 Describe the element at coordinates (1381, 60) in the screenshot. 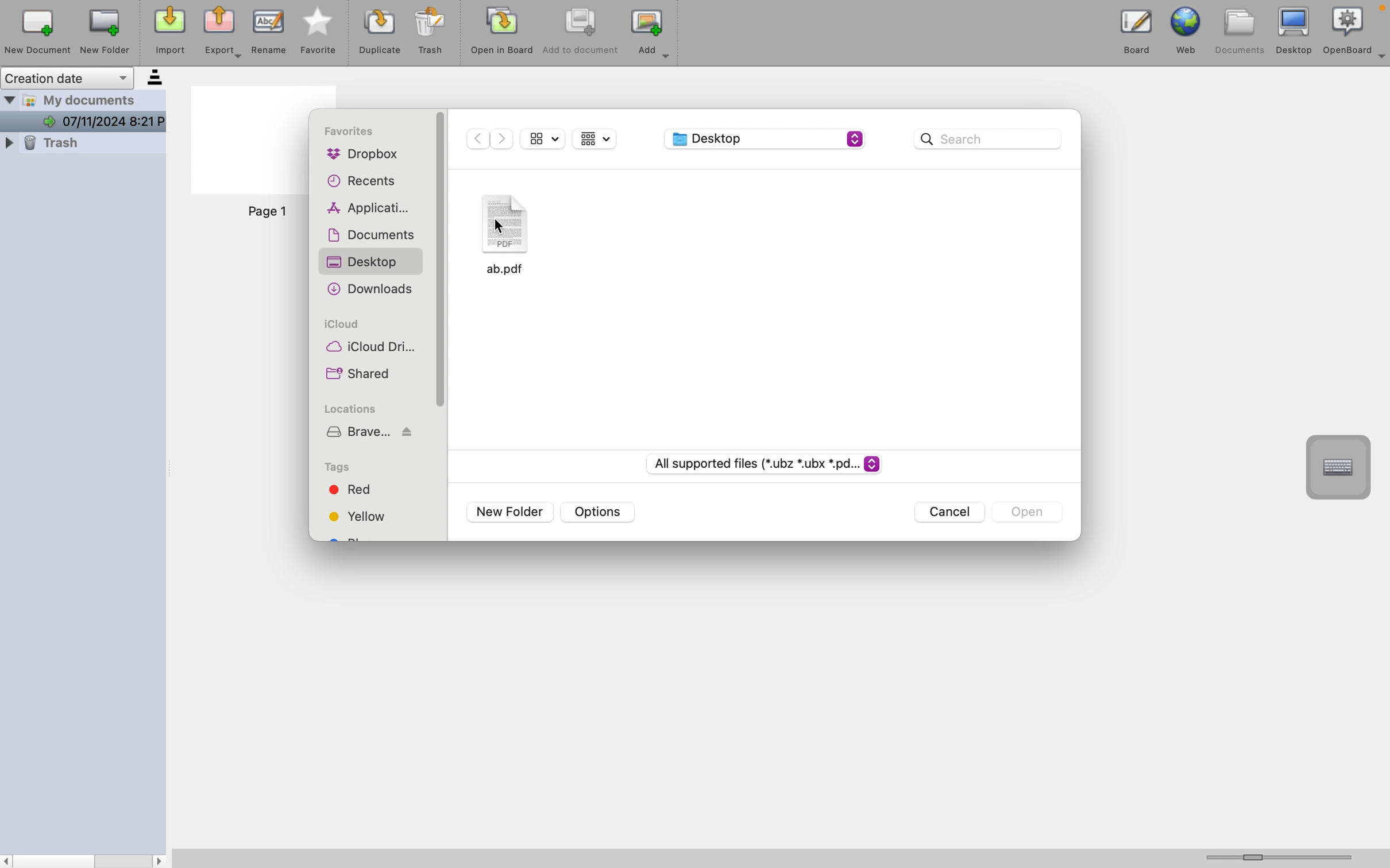

I see `more options` at that location.